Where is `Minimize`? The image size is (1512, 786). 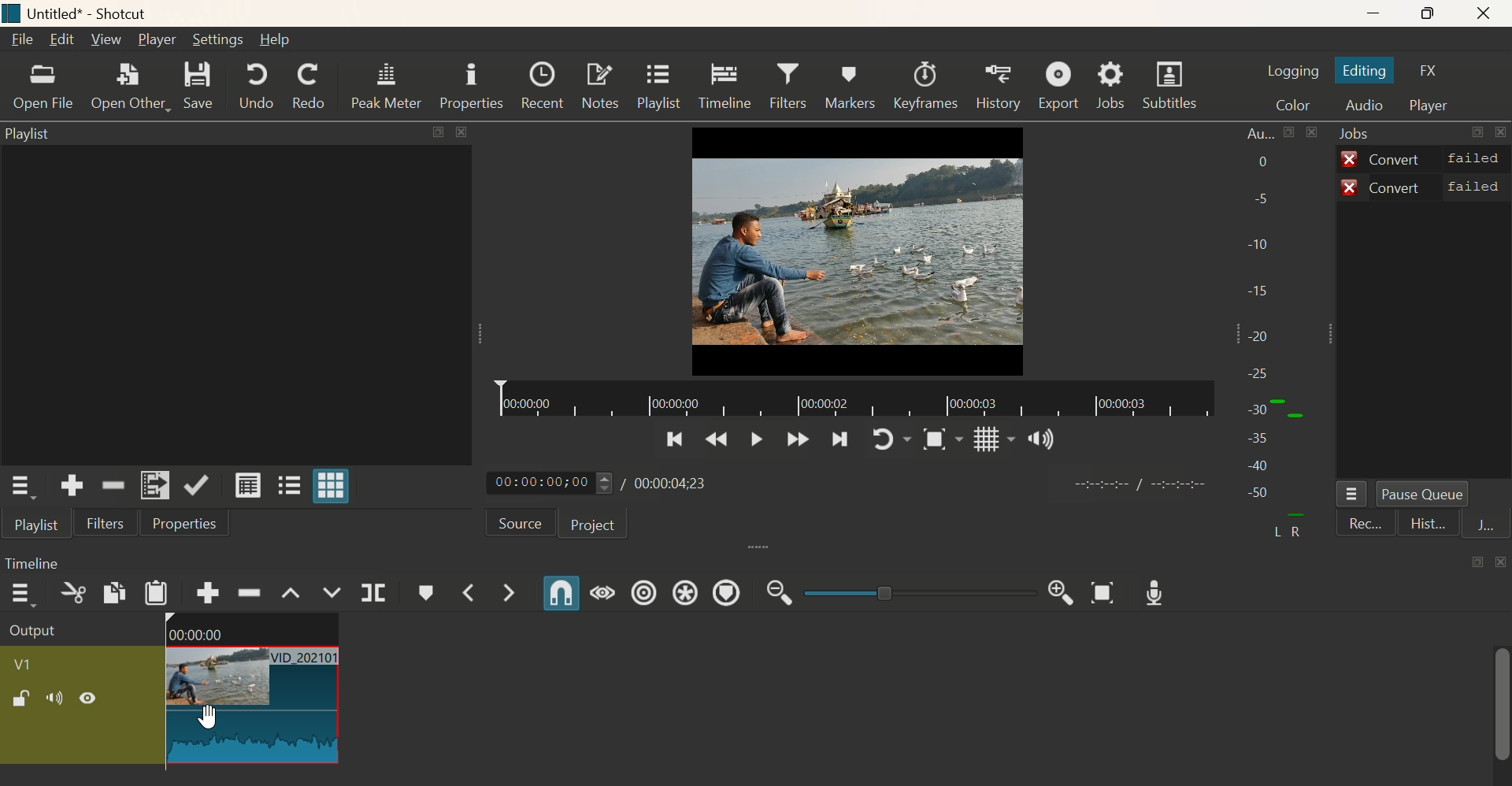 Minimize is located at coordinates (1380, 14).